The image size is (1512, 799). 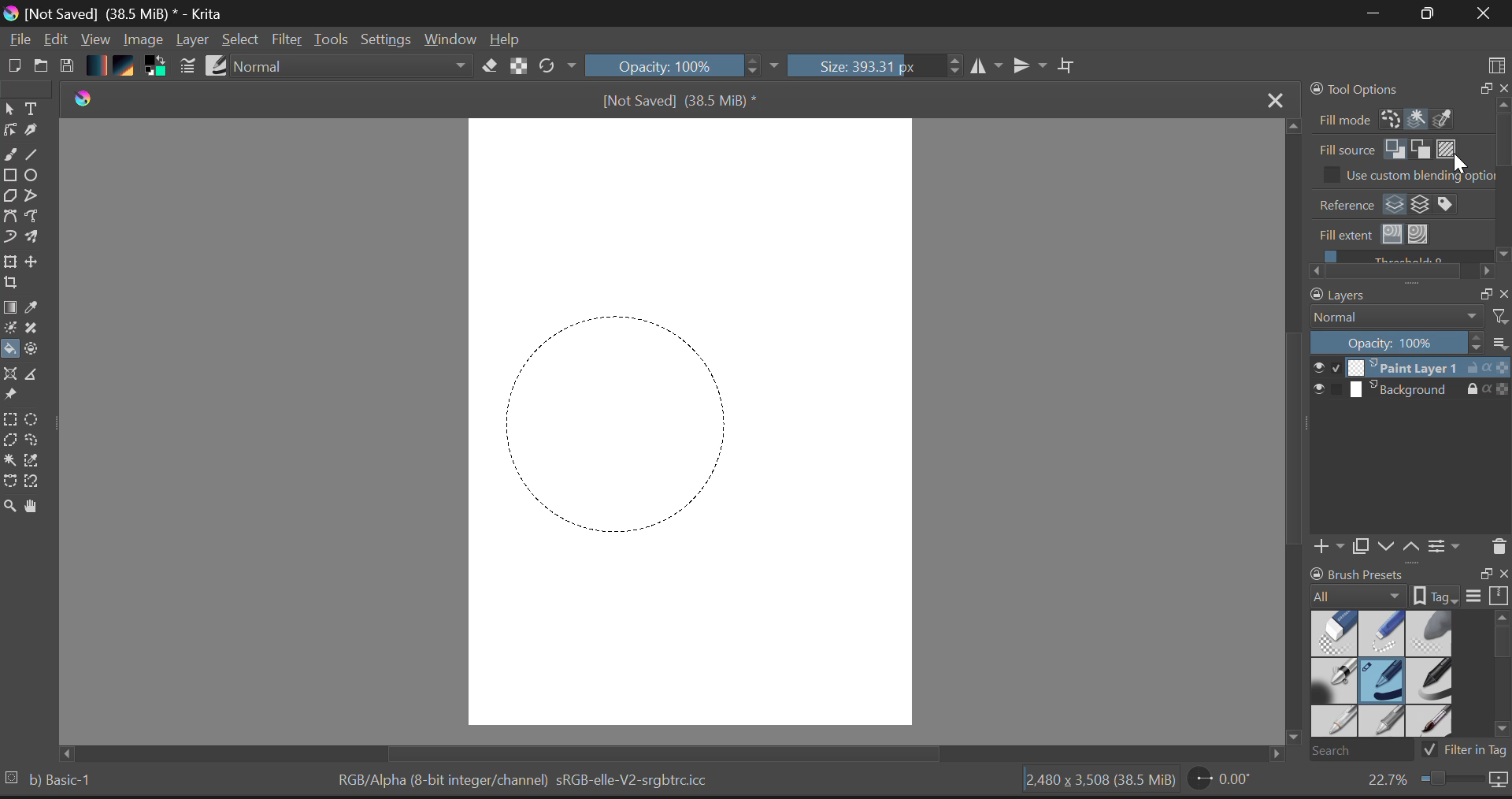 I want to click on Choose Workspace, so click(x=1496, y=60).